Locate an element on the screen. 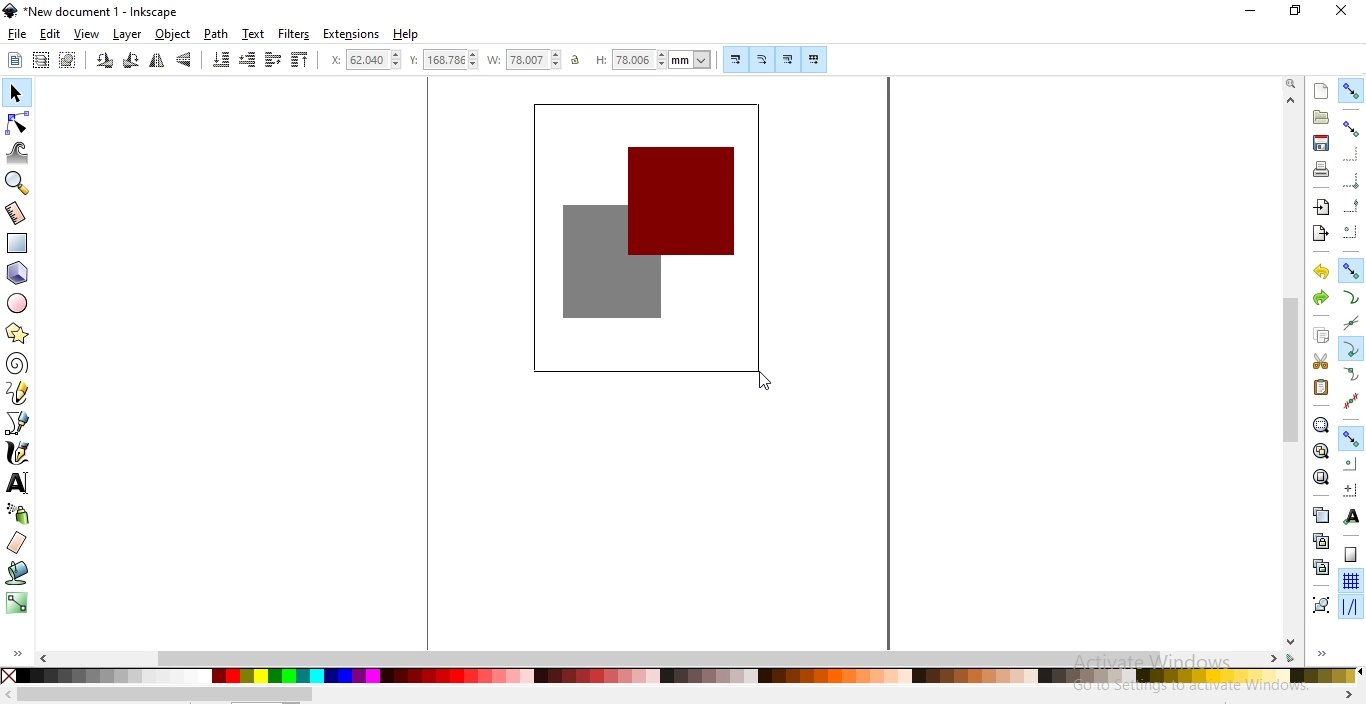 This screenshot has height=704, width=1366. zoom to fit drawing is located at coordinates (1320, 450).